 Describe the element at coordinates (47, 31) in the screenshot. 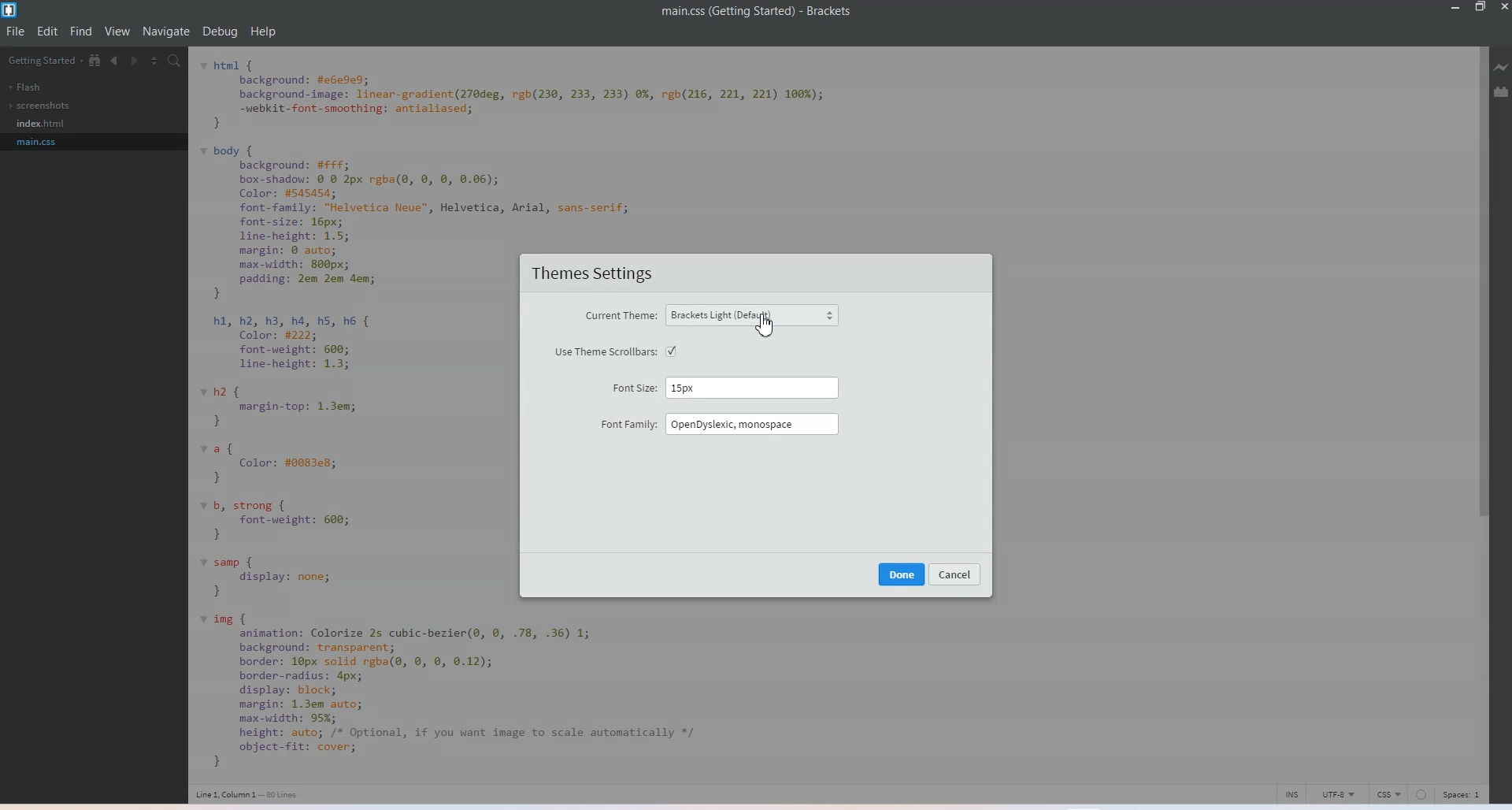

I see `Edit` at that location.